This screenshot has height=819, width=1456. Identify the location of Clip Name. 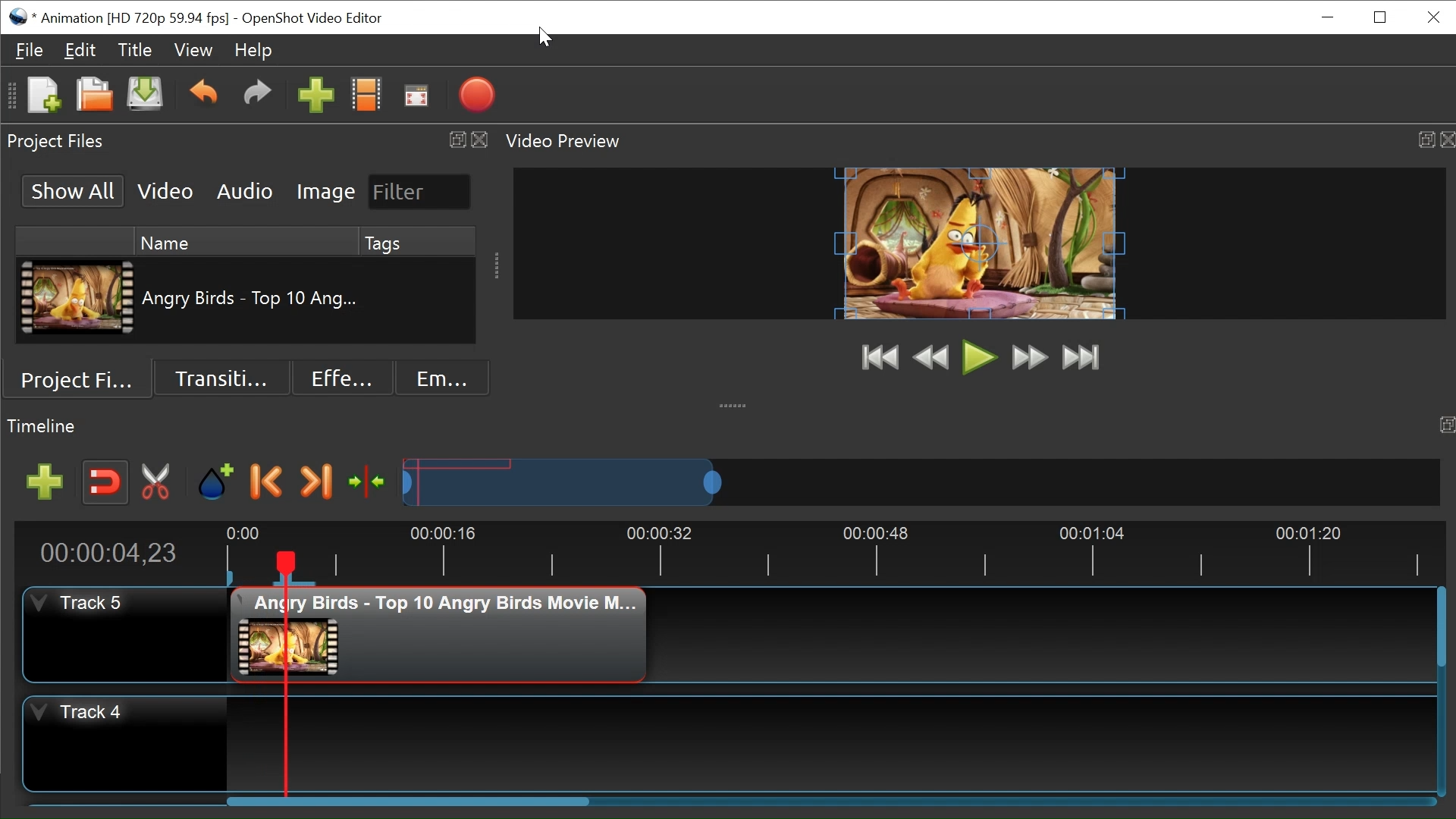
(253, 300).